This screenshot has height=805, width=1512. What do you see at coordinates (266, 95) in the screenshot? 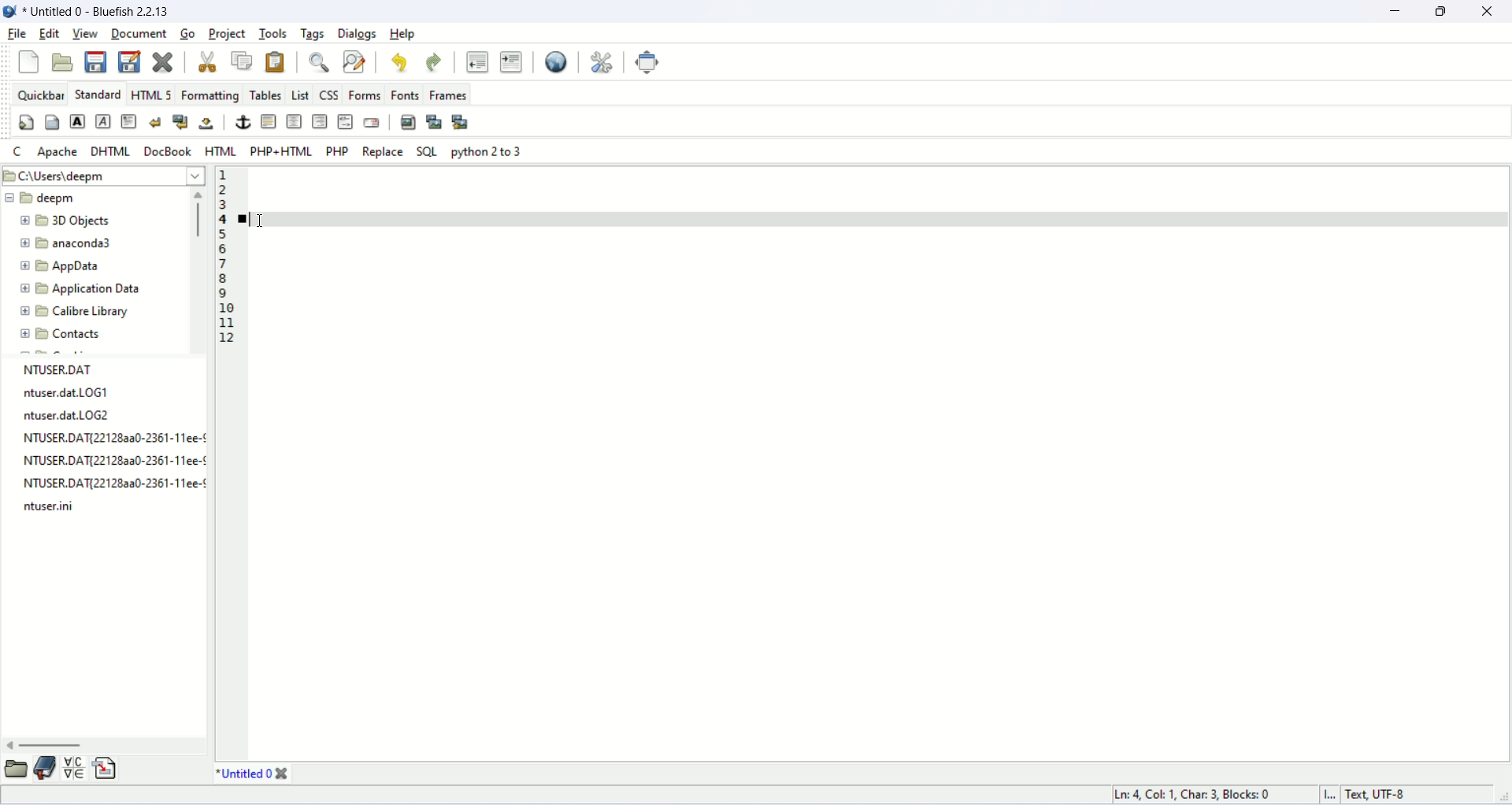
I see `tables` at bounding box center [266, 95].